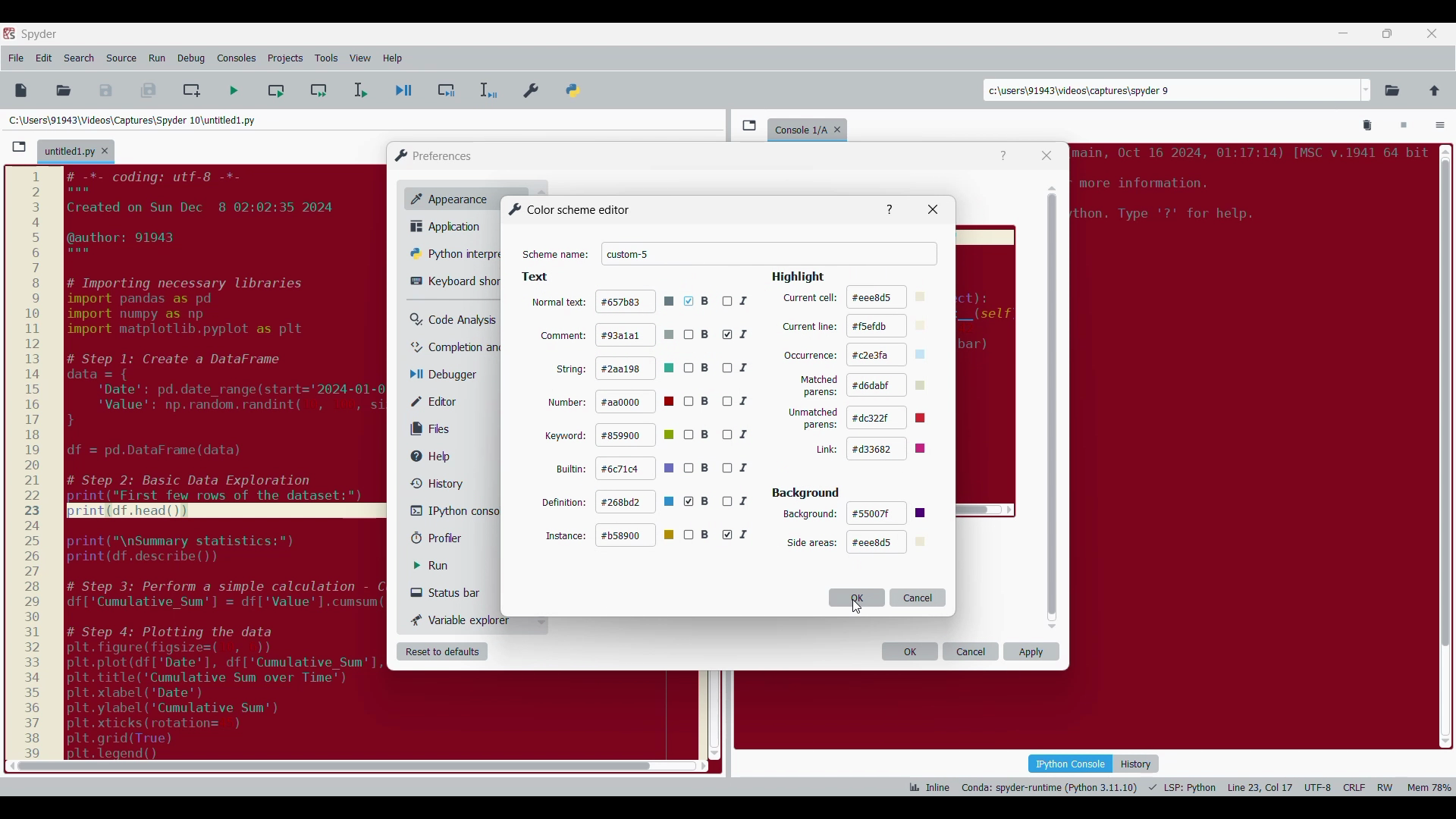 The width and height of the screenshot is (1456, 819). What do you see at coordinates (887, 542) in the screenshot?
I see `#eee8d5` at bounding box center [887, 542].